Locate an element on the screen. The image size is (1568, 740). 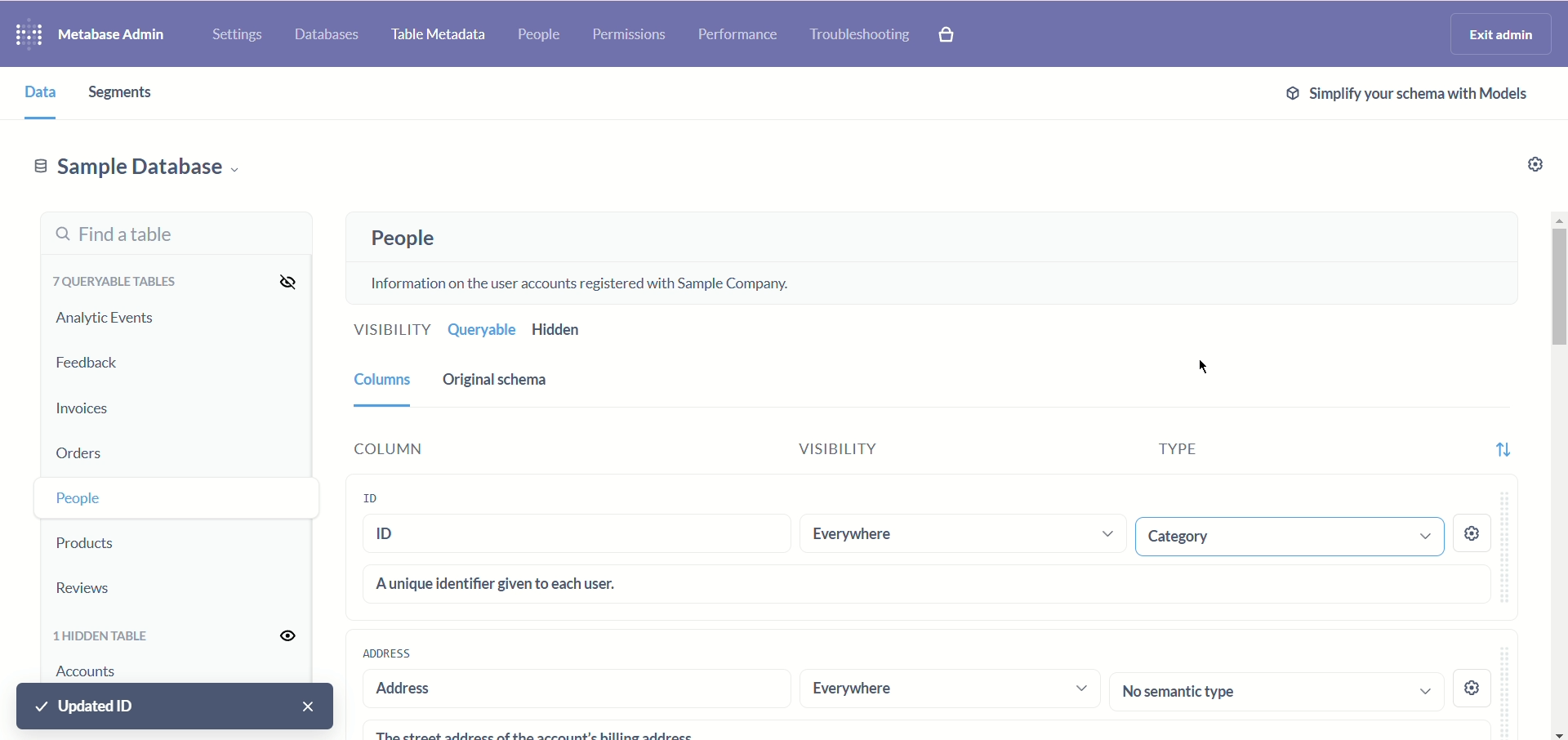
Address is located at coordinates (386, 653).